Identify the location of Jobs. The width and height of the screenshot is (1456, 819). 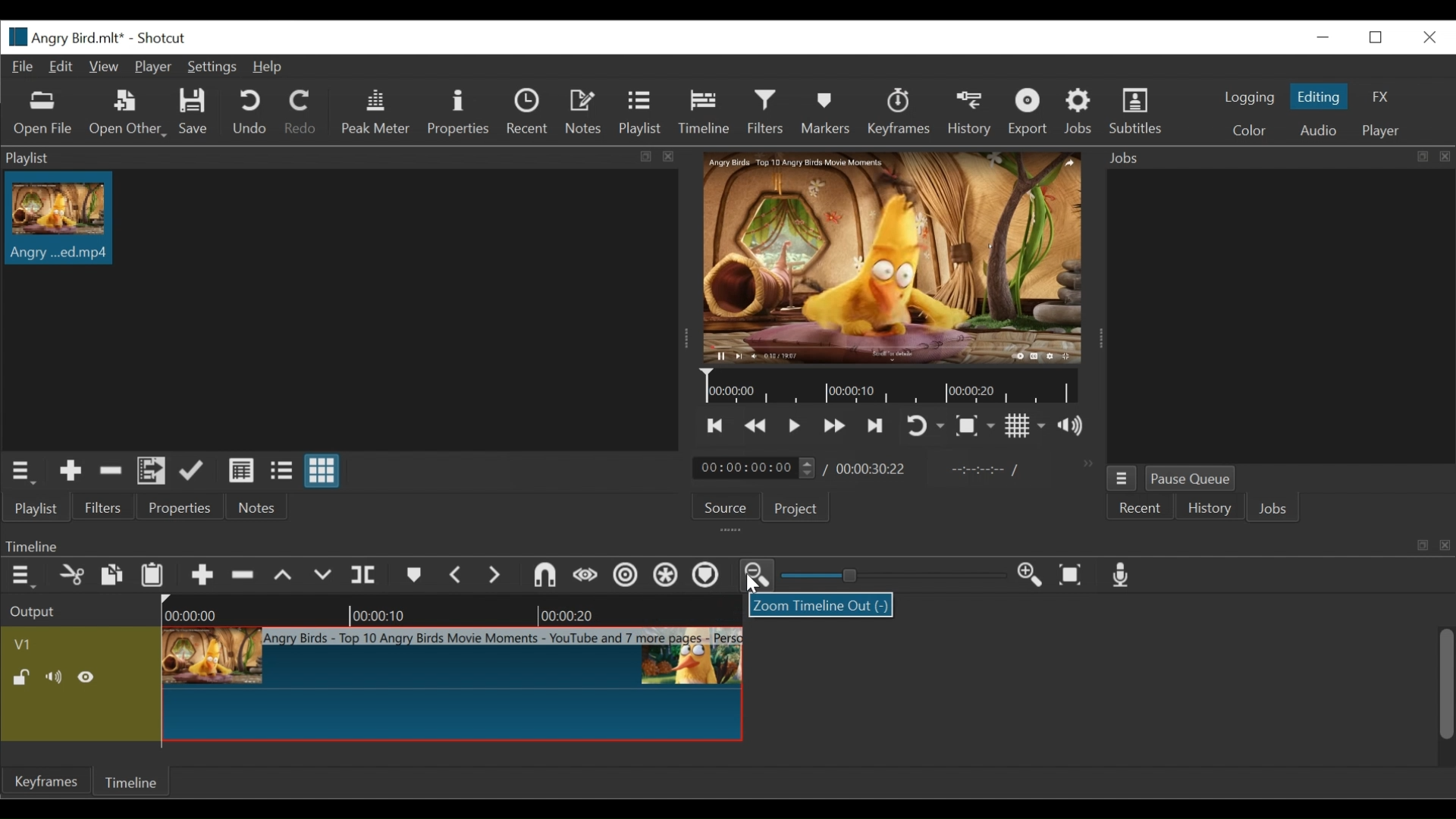
(1081, 111).